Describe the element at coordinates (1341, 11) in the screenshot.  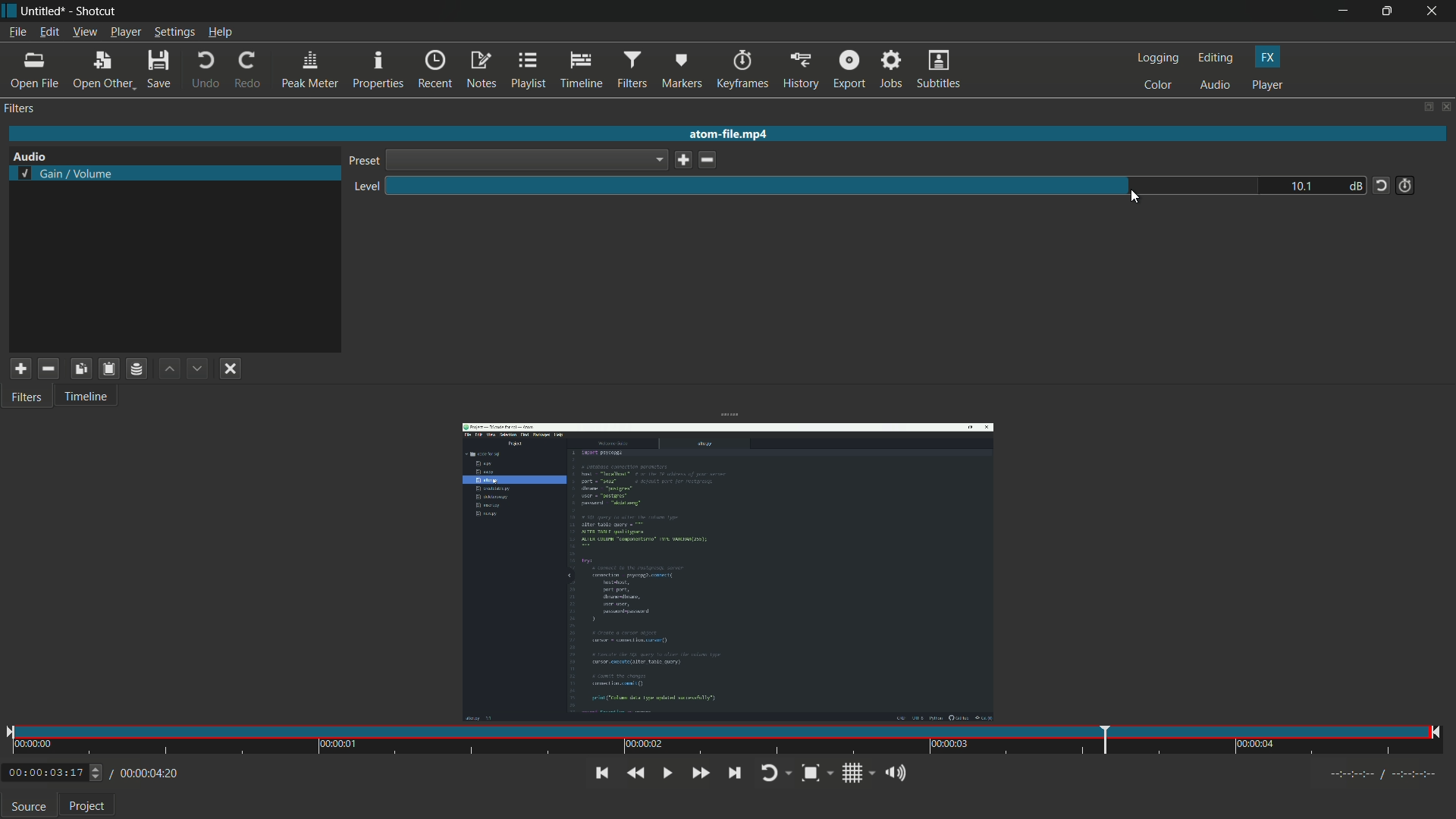
I see `minimize` at that location.